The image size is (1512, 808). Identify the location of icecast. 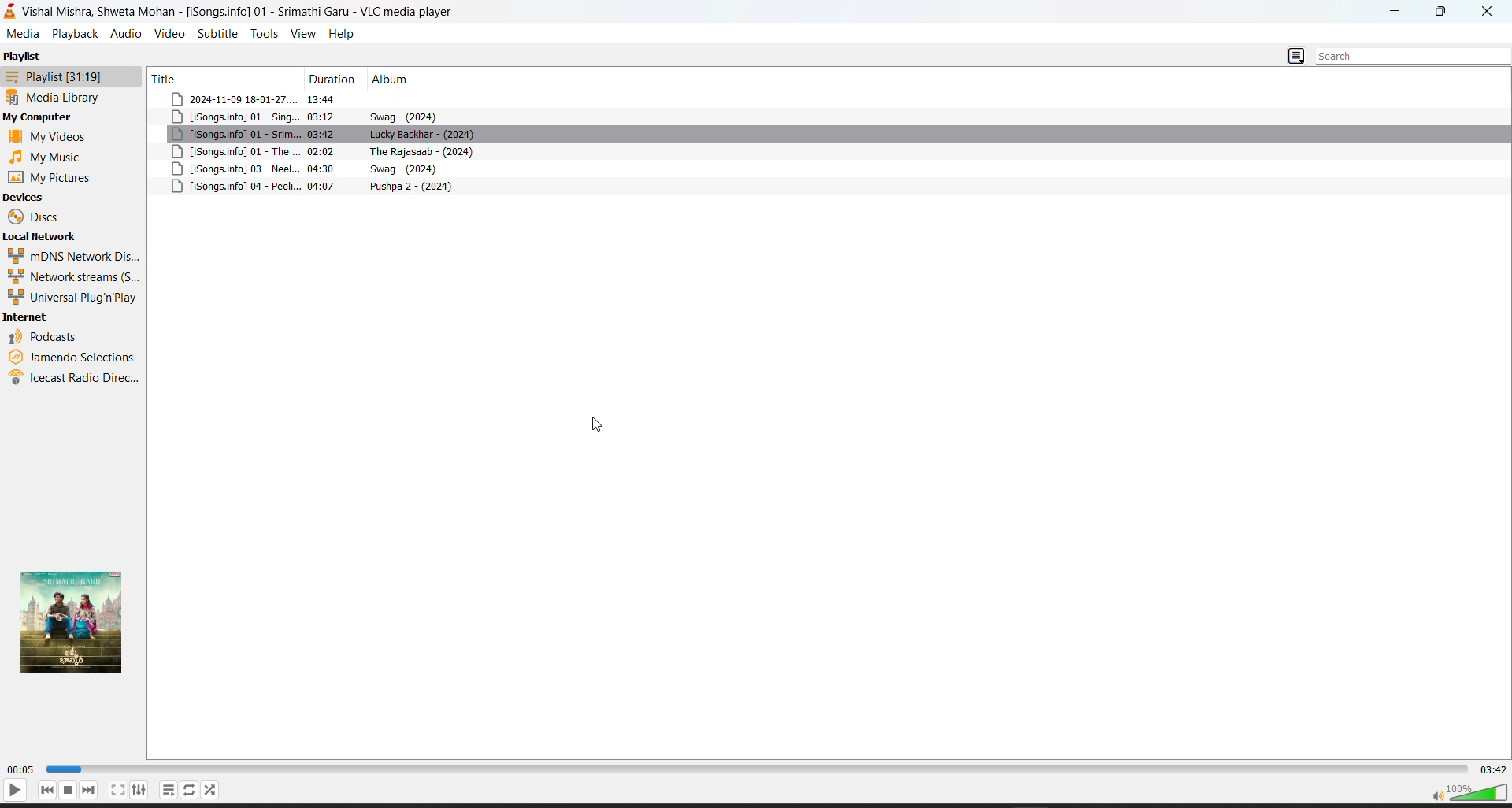
(74, 380).